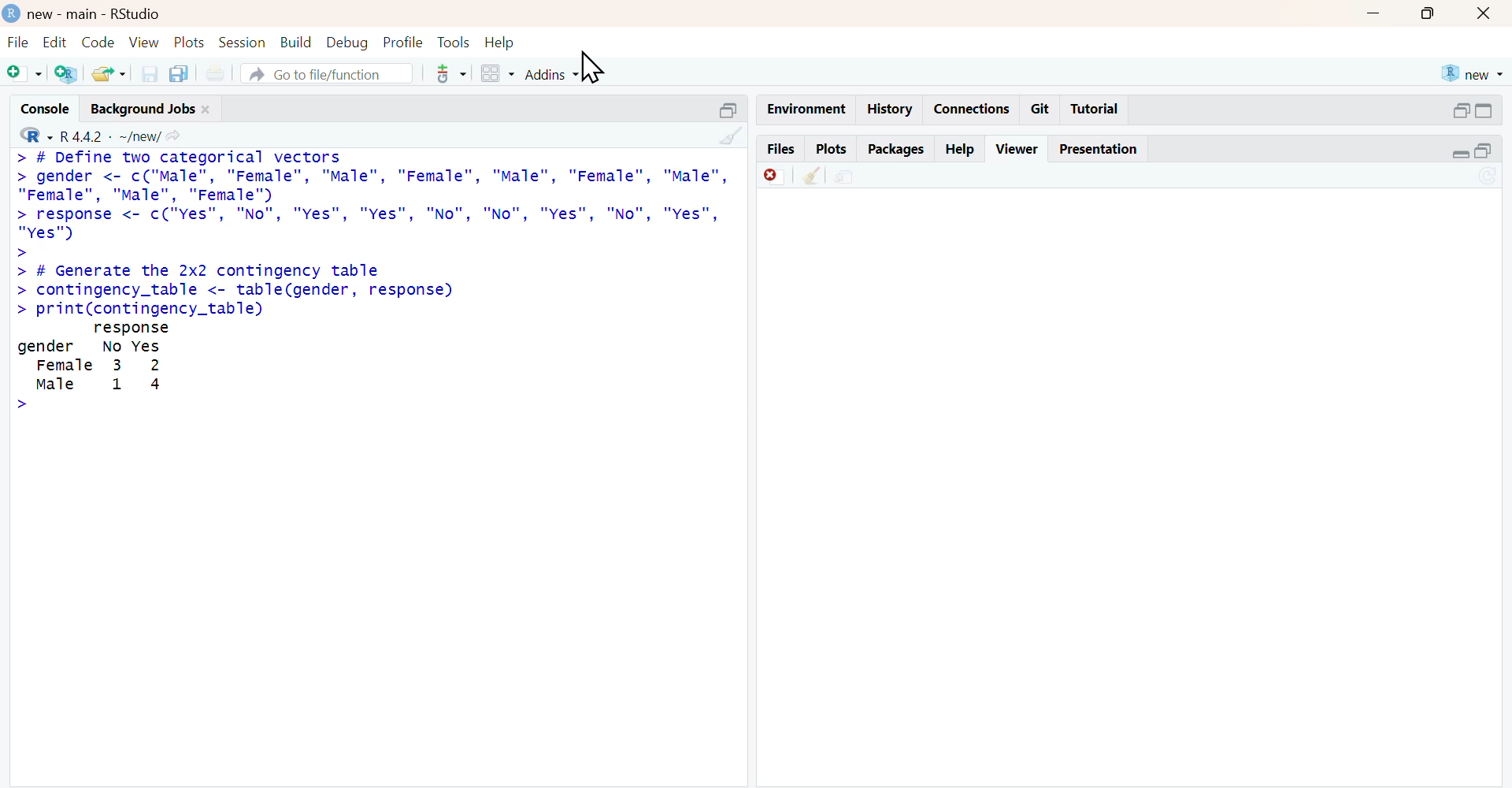 Image resolution: width=1512 pixels, height=788 pixels. What do you see at coordinates (145, 42) in the screenshot?
I see `view` at bounding box center [145, 42].